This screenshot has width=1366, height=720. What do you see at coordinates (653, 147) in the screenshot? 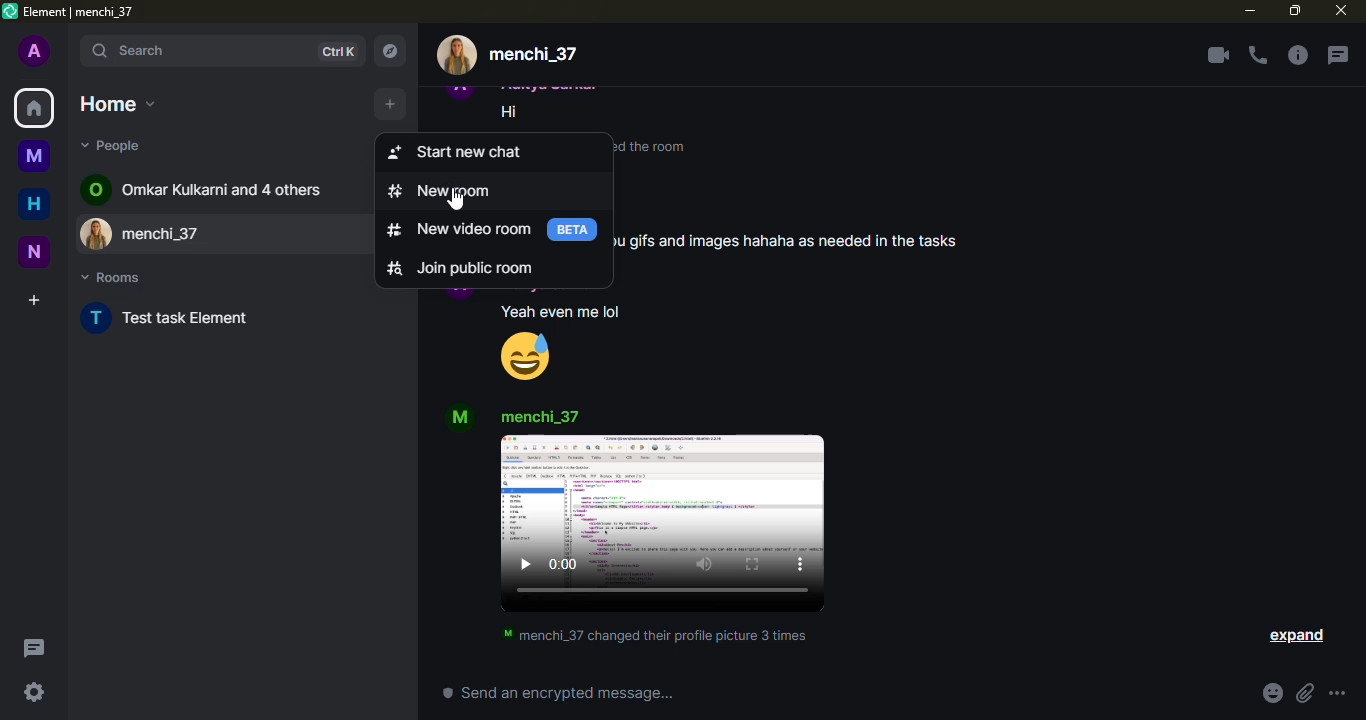
I see `menchi_37 joined the room` at bounding box center [653, 147].